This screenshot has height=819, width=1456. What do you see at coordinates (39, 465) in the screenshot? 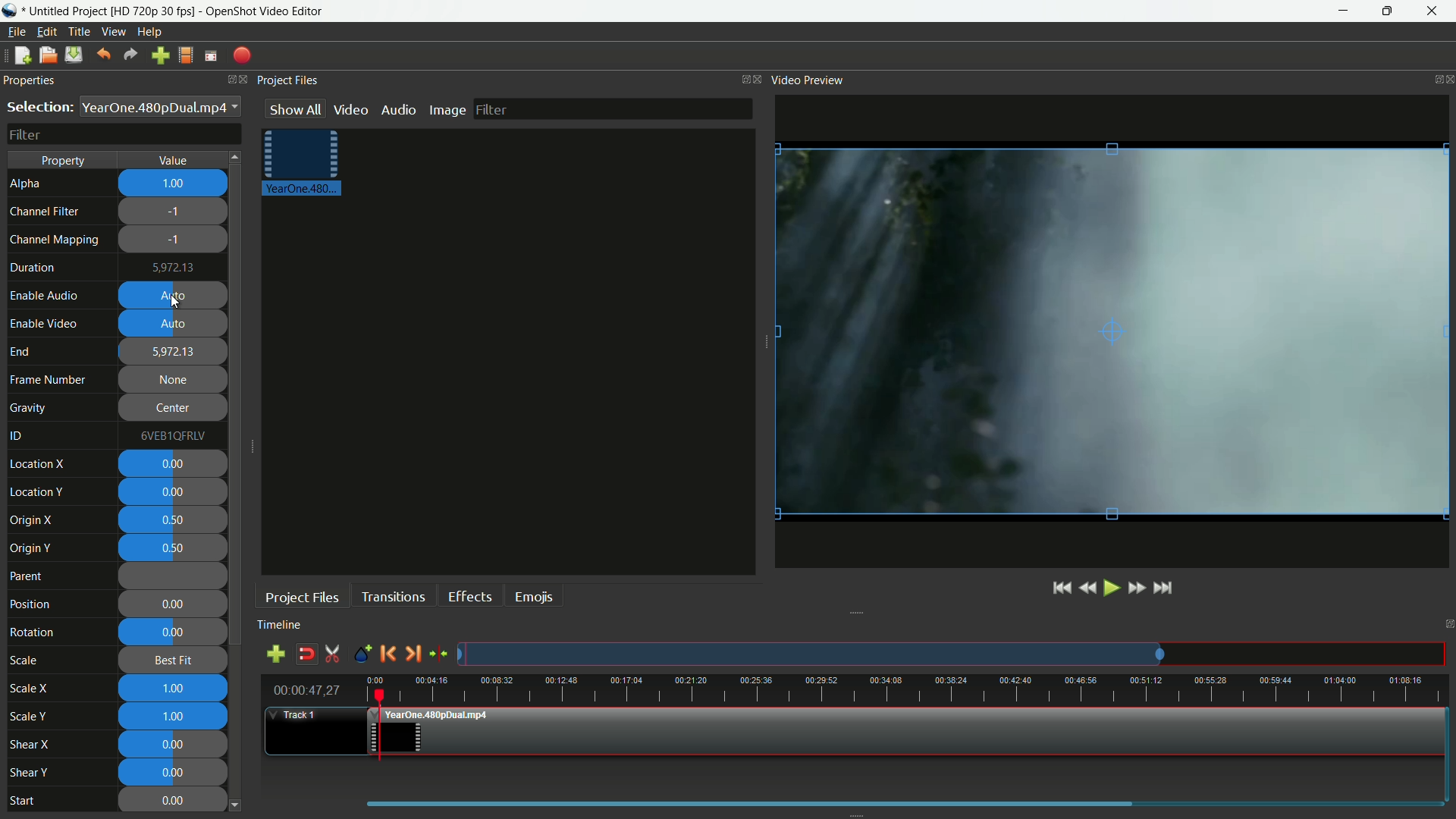
I see `location x` at bounding box center [39, 465].